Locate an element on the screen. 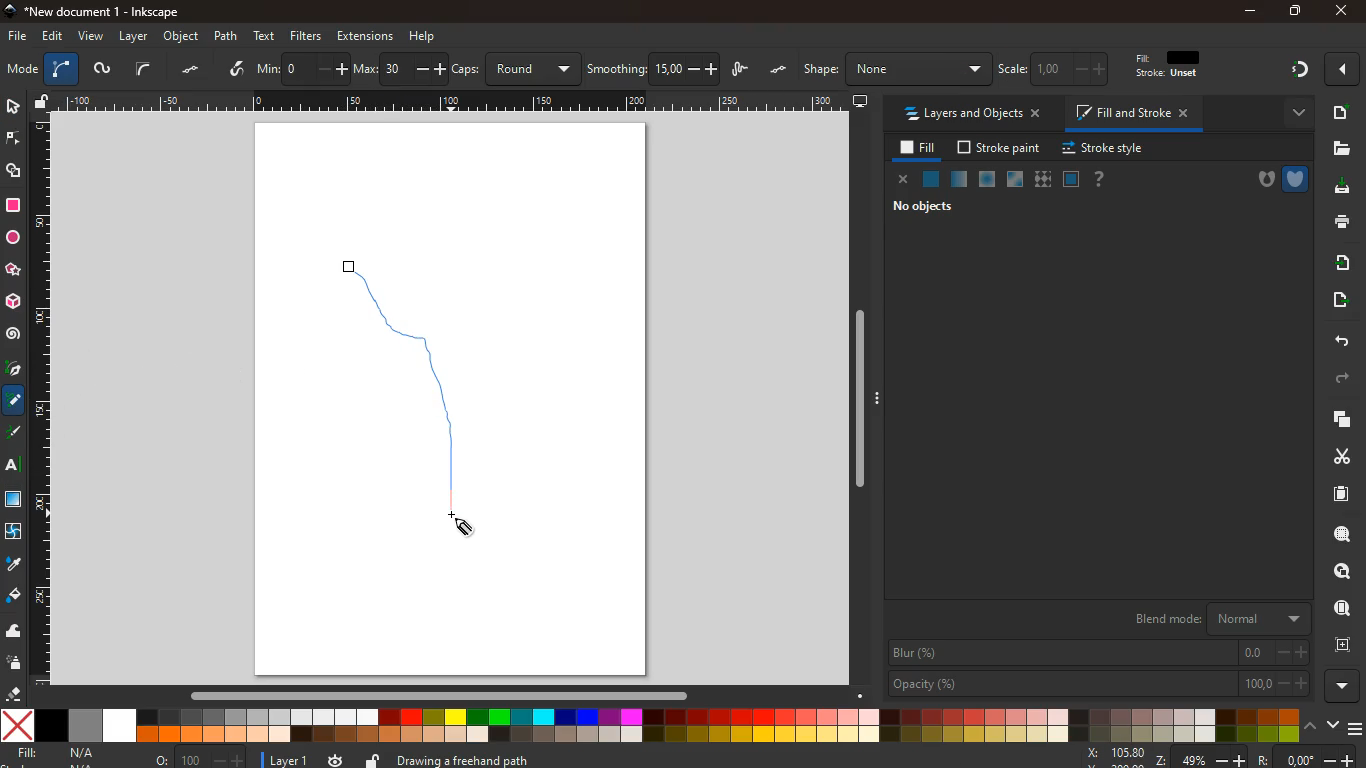 This screenshot has height=768, width=1366. wave is located at coordinates (15, 630).